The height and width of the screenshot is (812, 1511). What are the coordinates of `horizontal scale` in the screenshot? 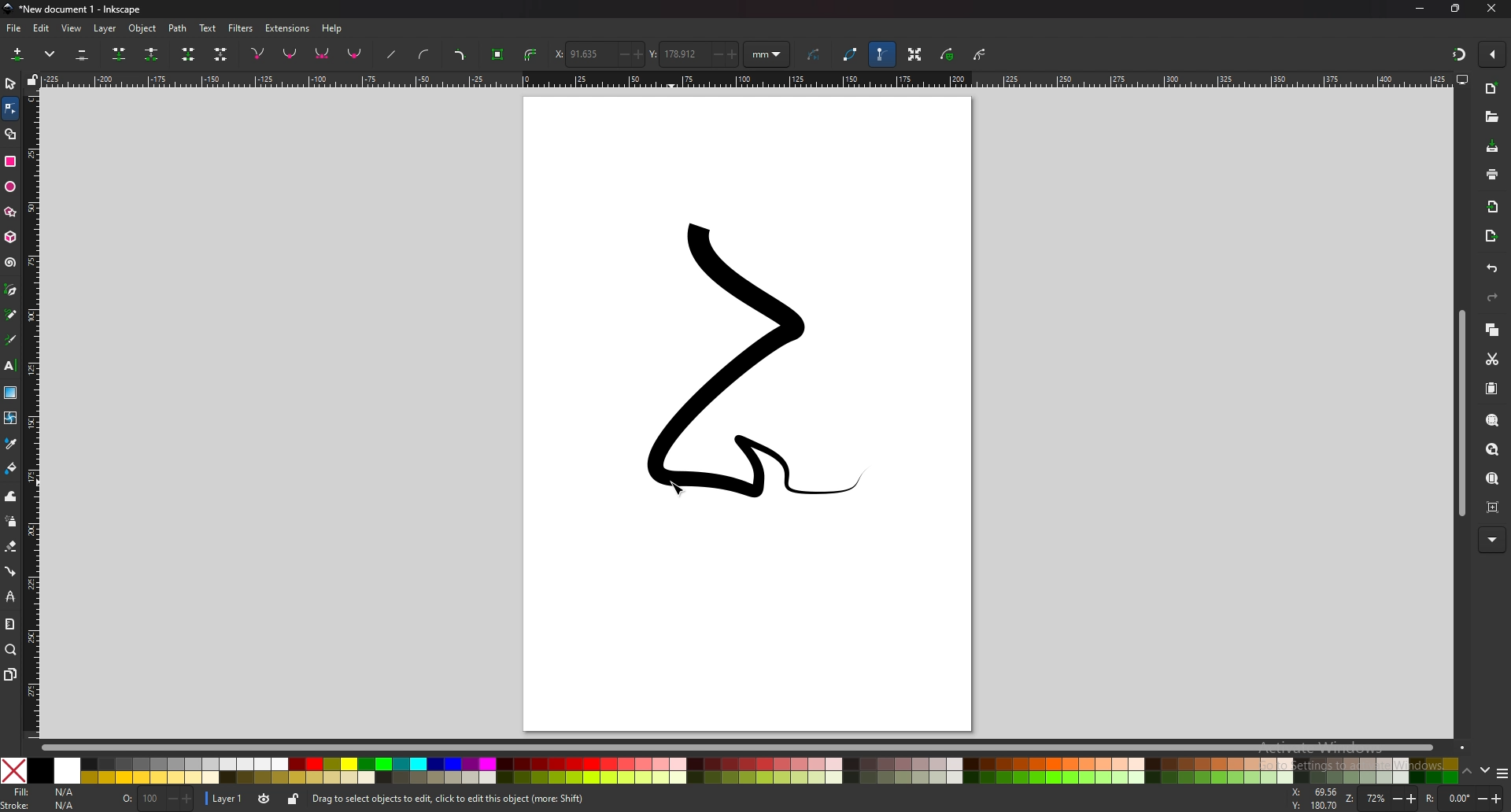 It's located at (744, 79).